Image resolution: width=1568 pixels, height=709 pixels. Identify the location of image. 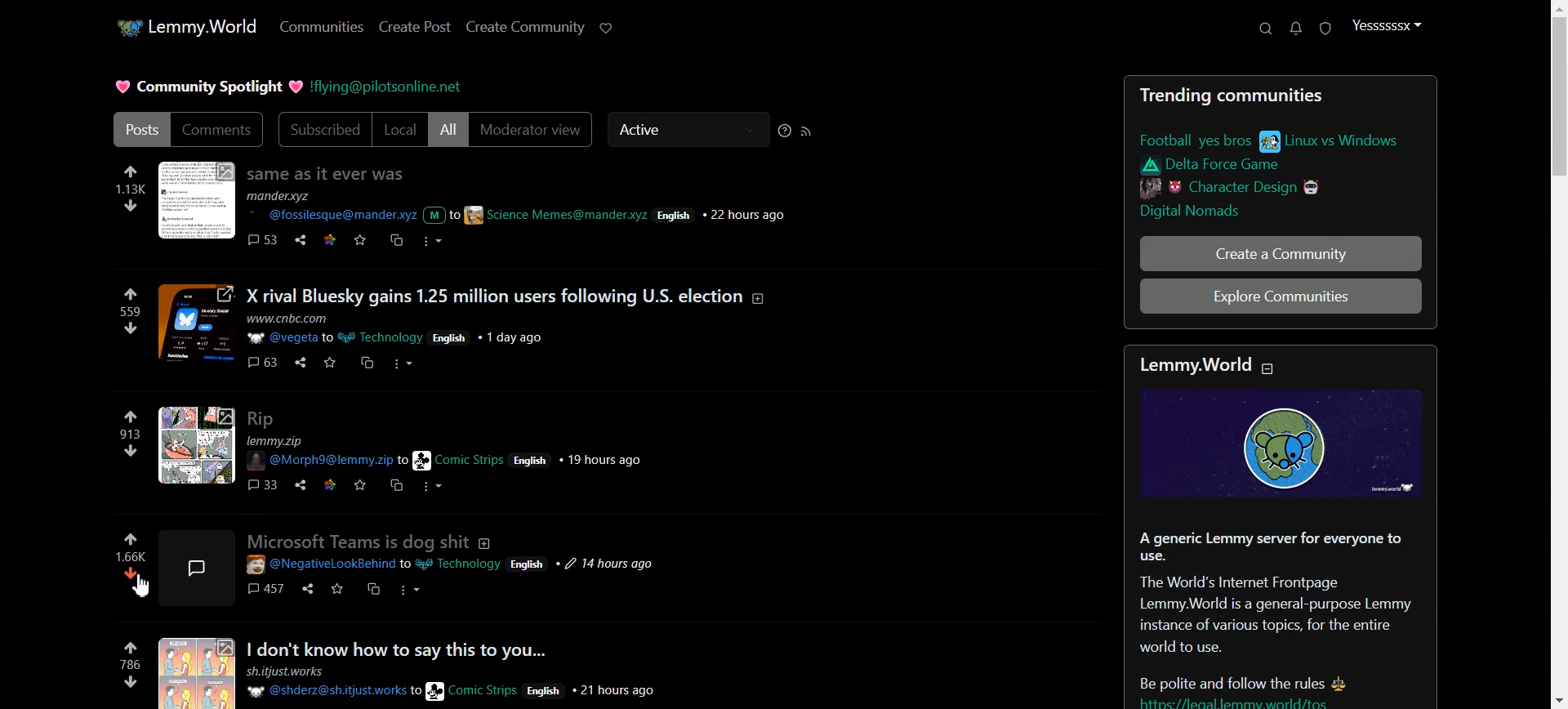
(1282, 443).